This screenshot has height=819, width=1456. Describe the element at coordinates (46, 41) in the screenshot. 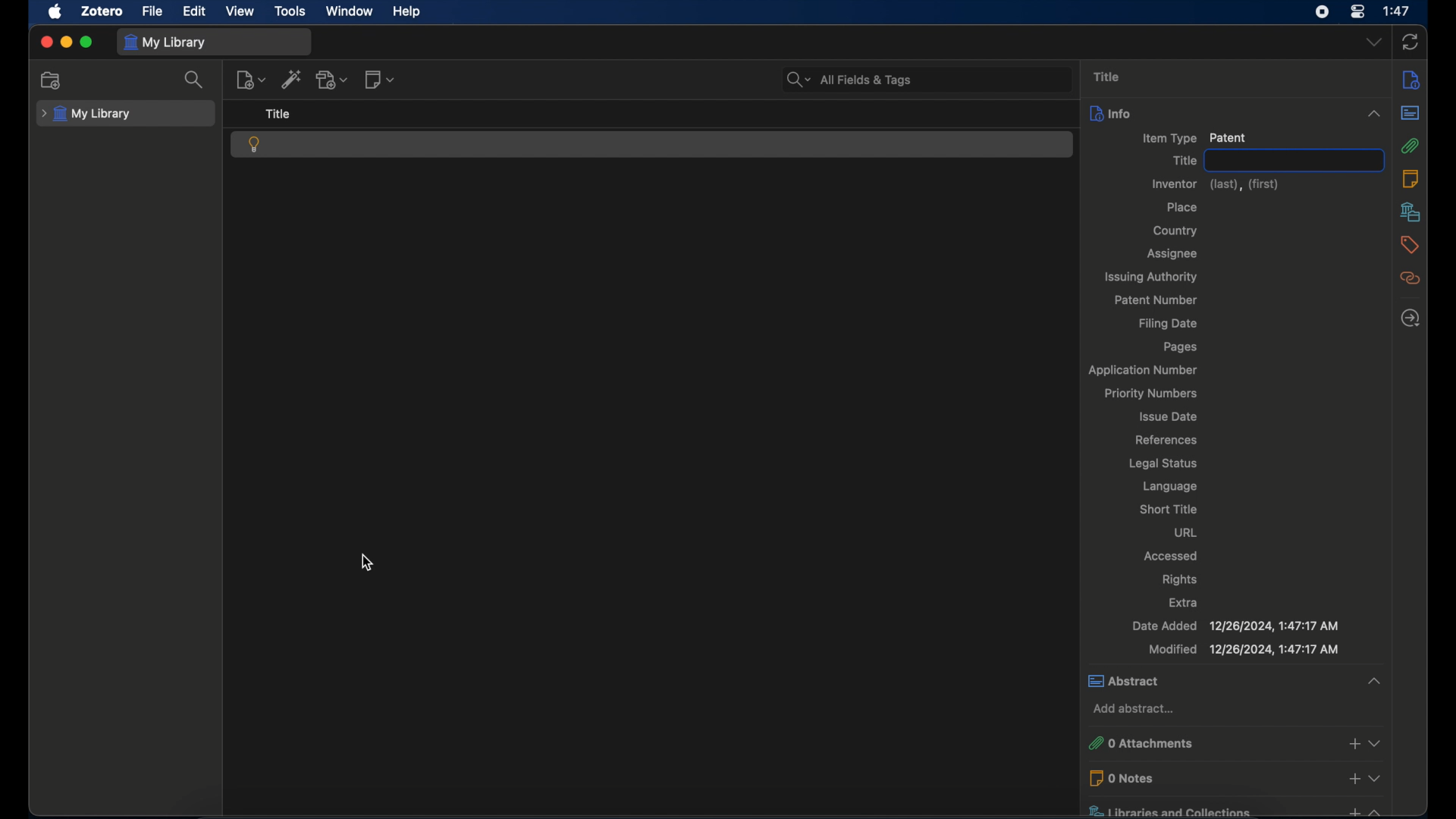

I see `close` at that location.